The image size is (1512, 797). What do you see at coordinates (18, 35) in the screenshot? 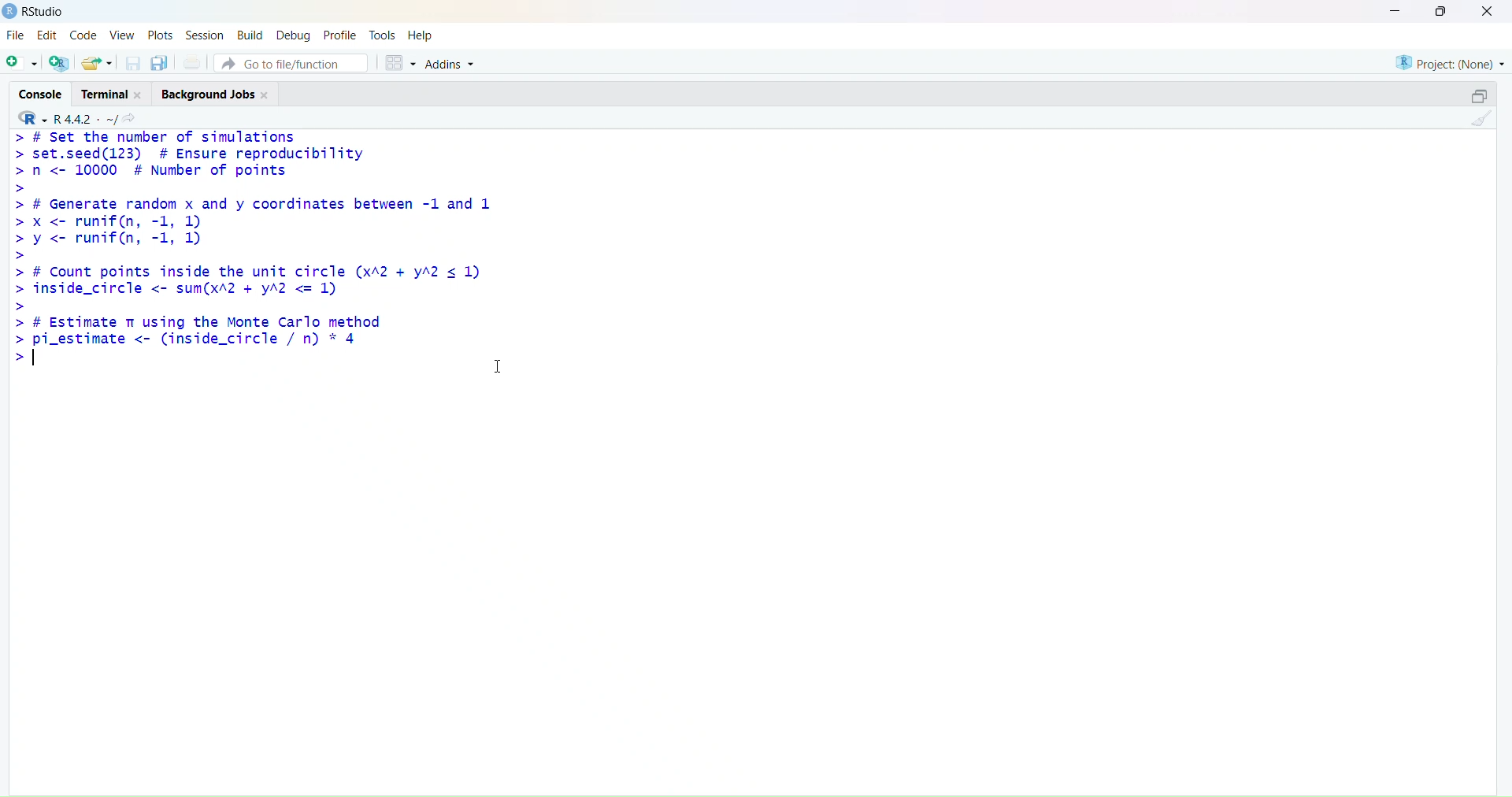
I see `File` at bounding box center [18, 35].